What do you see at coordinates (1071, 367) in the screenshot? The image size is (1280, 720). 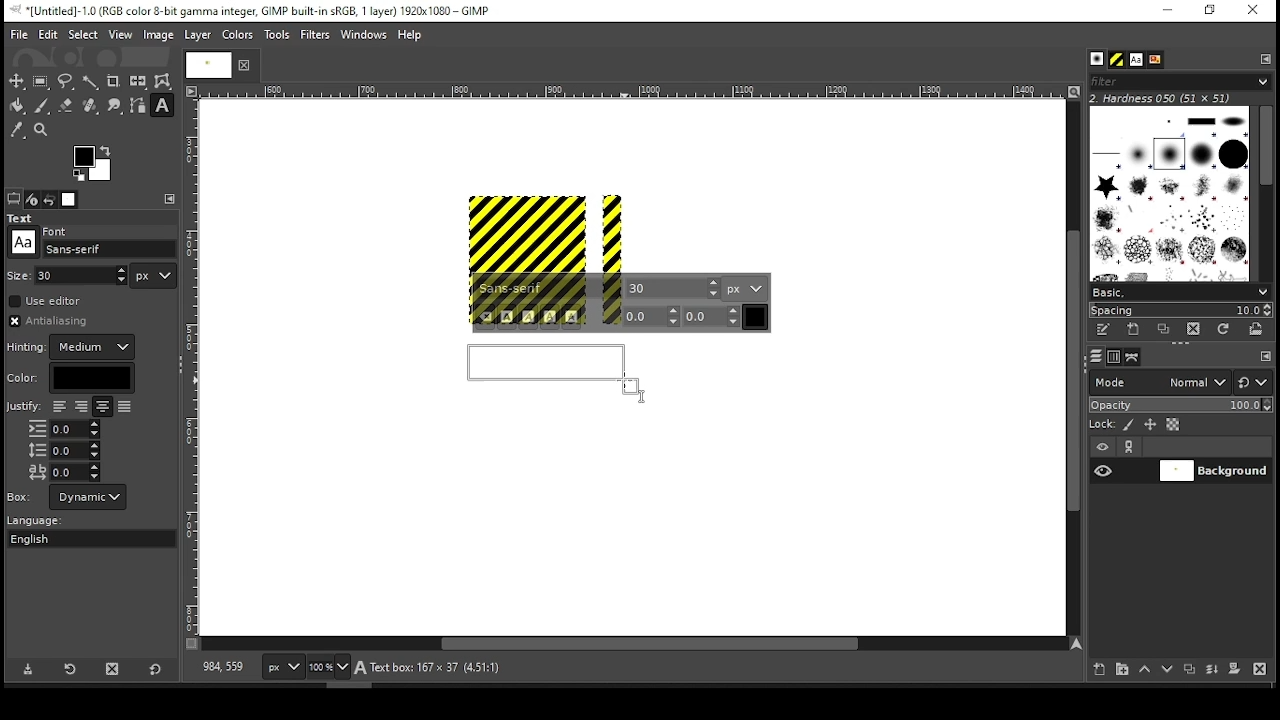 I see `scroll bar` at bounding box center [1071, 367].